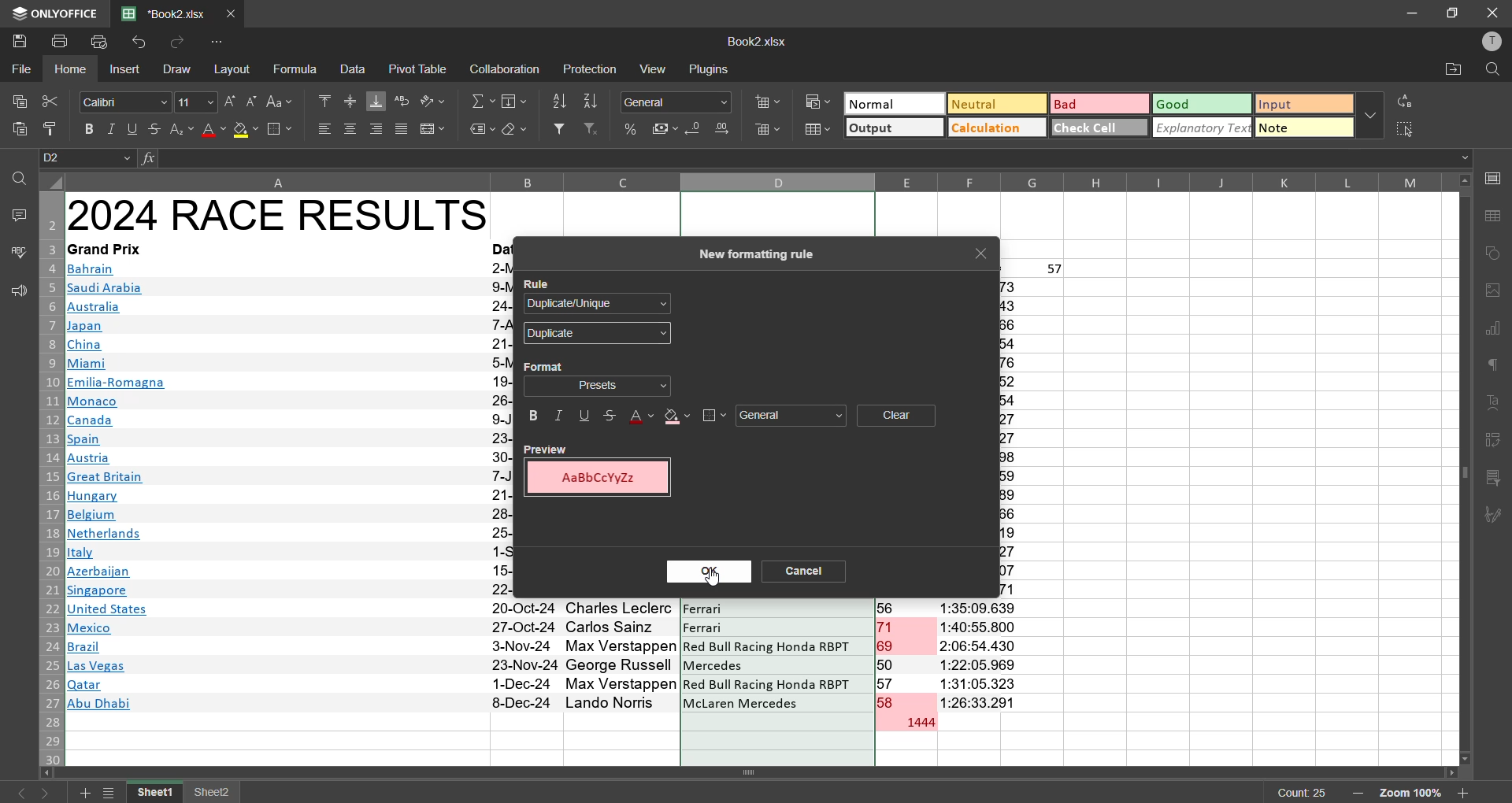 Image resolution: width=1512 pixels, height=803 pixels. Describe the element at coordinates (175, 68) in the screenshot. I see `draw` at that location.